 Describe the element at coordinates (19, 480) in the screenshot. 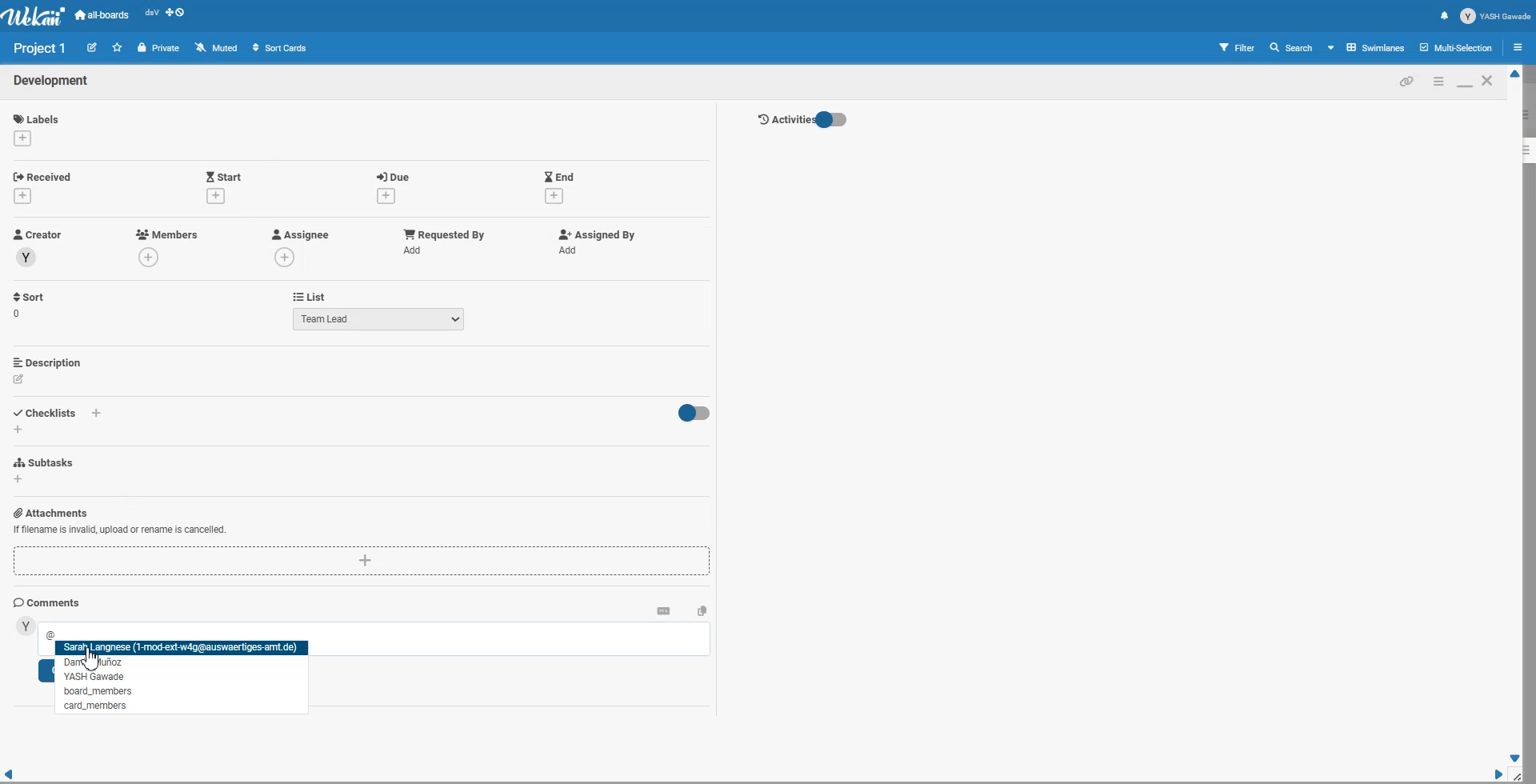

I see `add` at that location.